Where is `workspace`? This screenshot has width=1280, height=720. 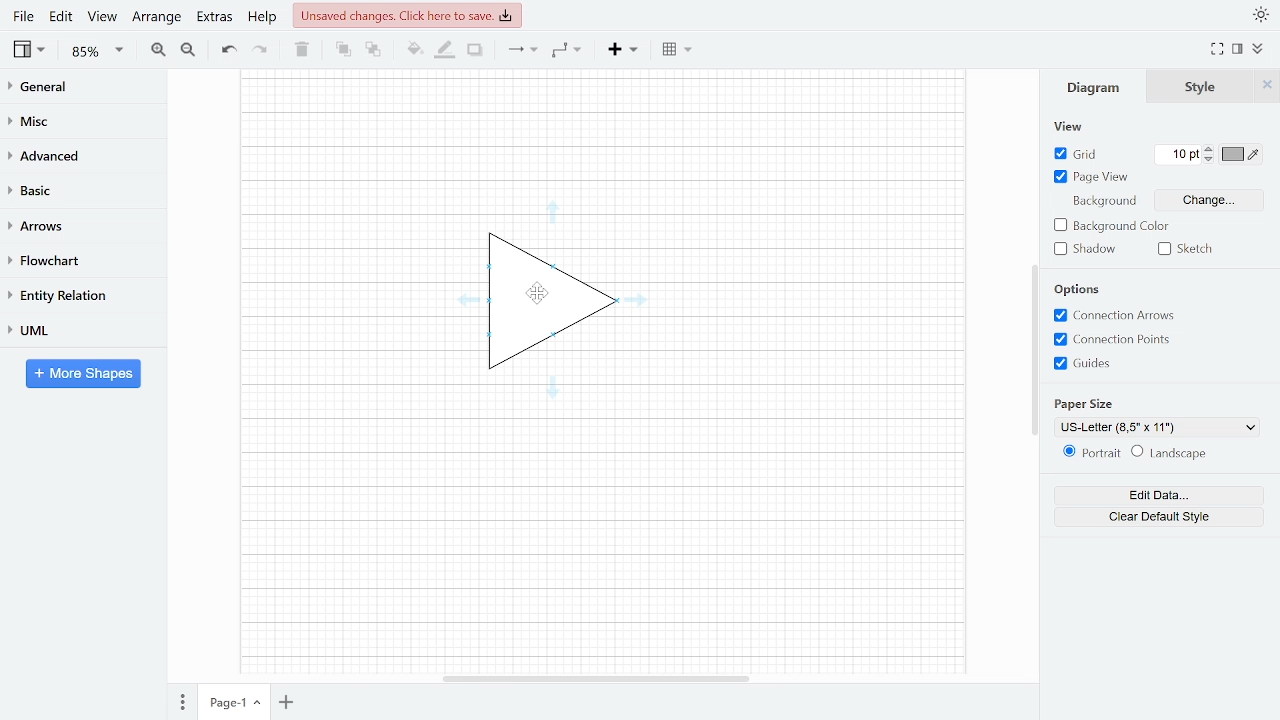 workspace is located at coordinates (819, 302).